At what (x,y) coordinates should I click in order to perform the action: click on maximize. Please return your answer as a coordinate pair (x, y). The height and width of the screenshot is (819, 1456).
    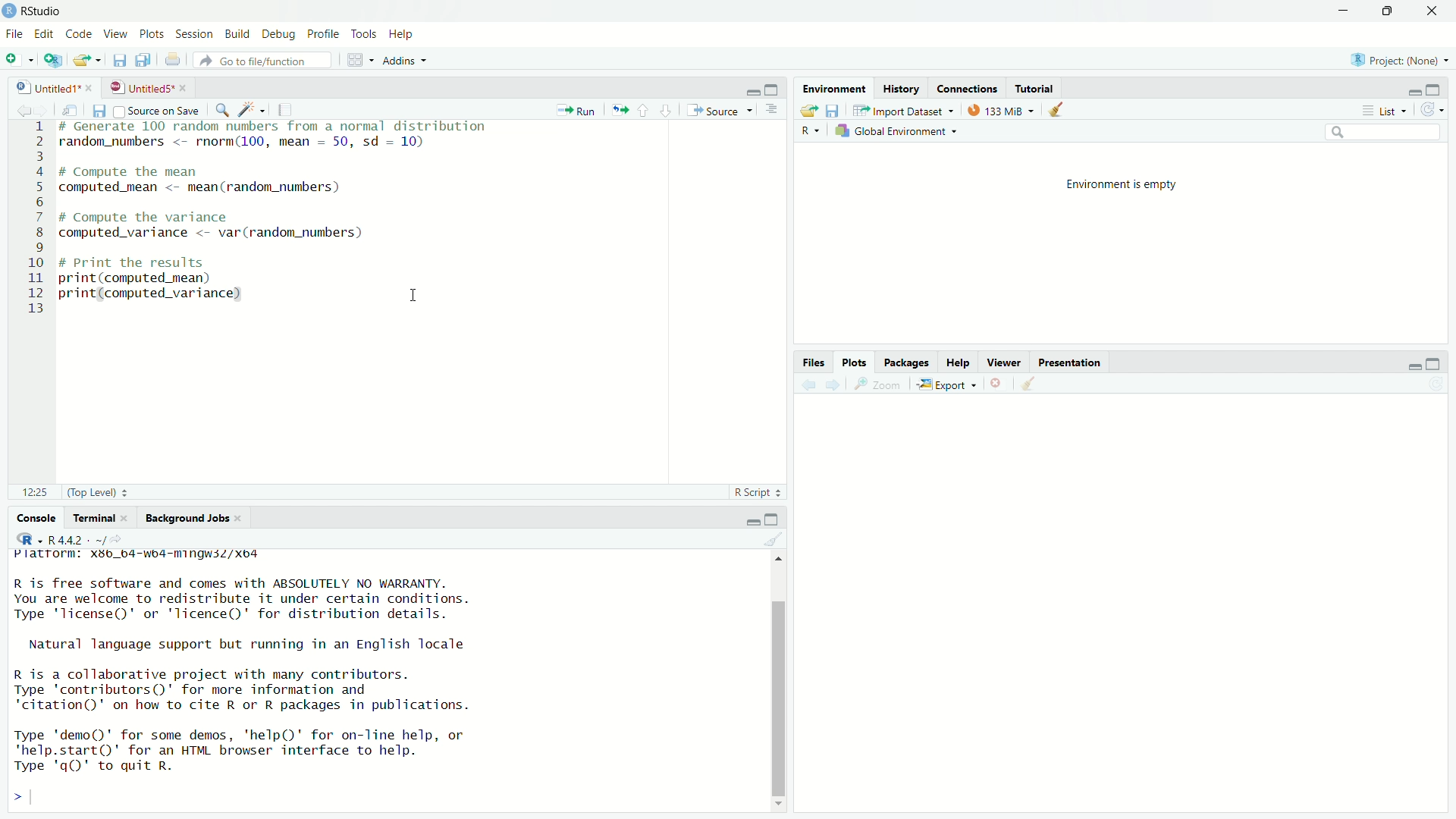
    Looking at the image, I should click on (773, 86).